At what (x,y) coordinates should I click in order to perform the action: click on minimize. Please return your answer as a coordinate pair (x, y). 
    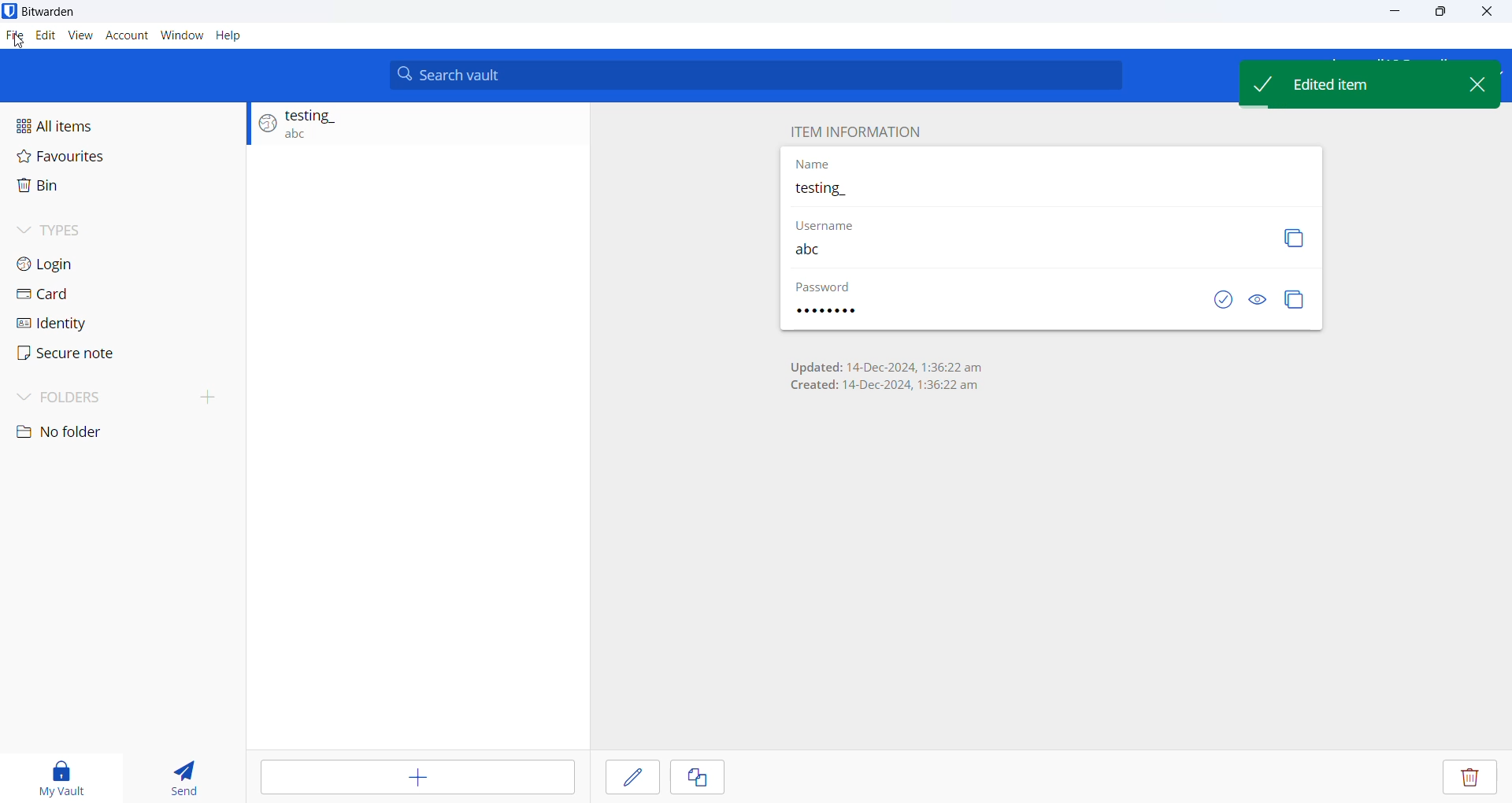
    Looking at the image, I should click on (1392, 17).